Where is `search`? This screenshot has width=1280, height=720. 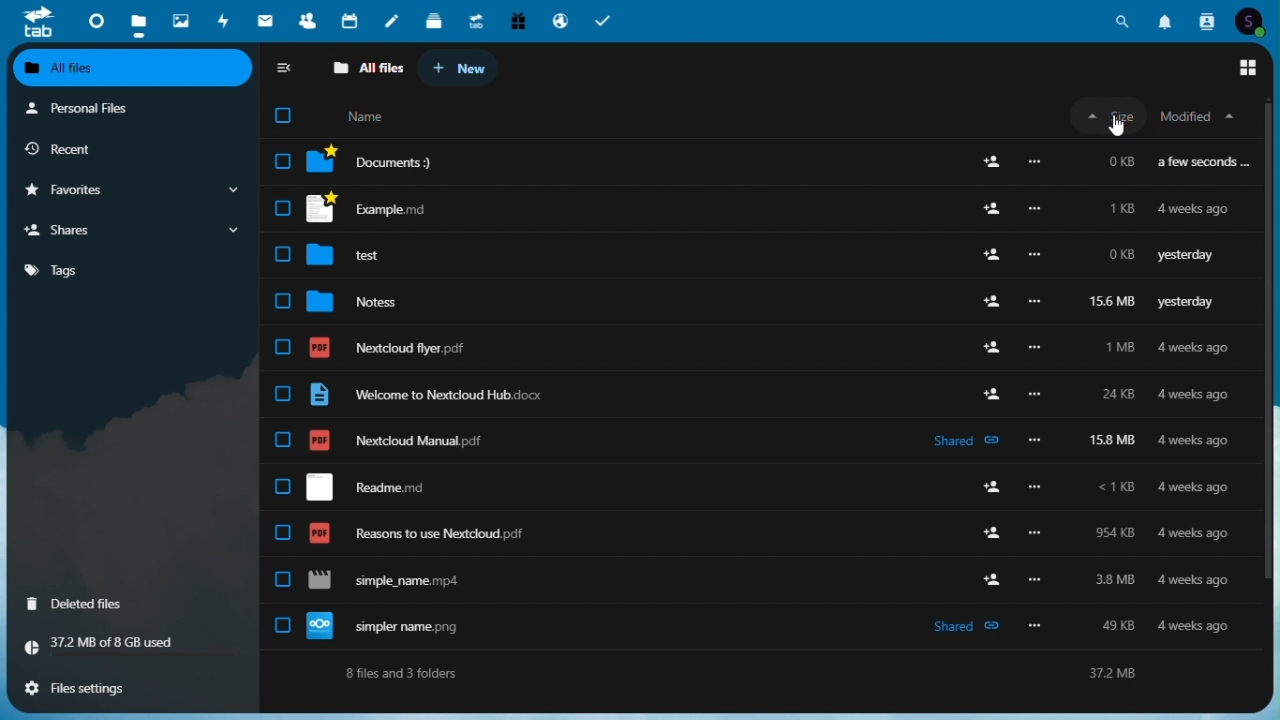 search is located at coordinates (1123, 20).